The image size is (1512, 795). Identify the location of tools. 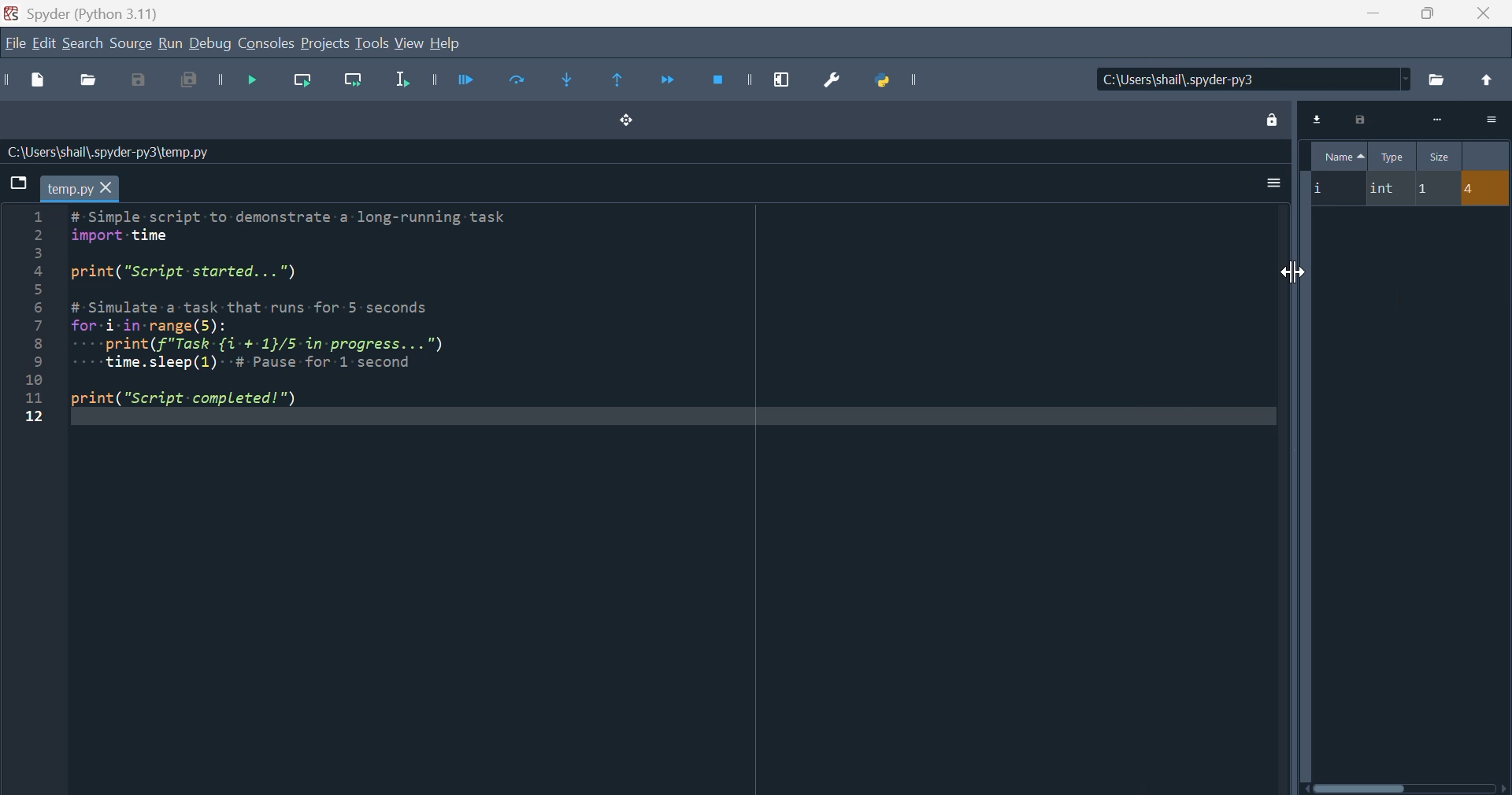
(372, 43).